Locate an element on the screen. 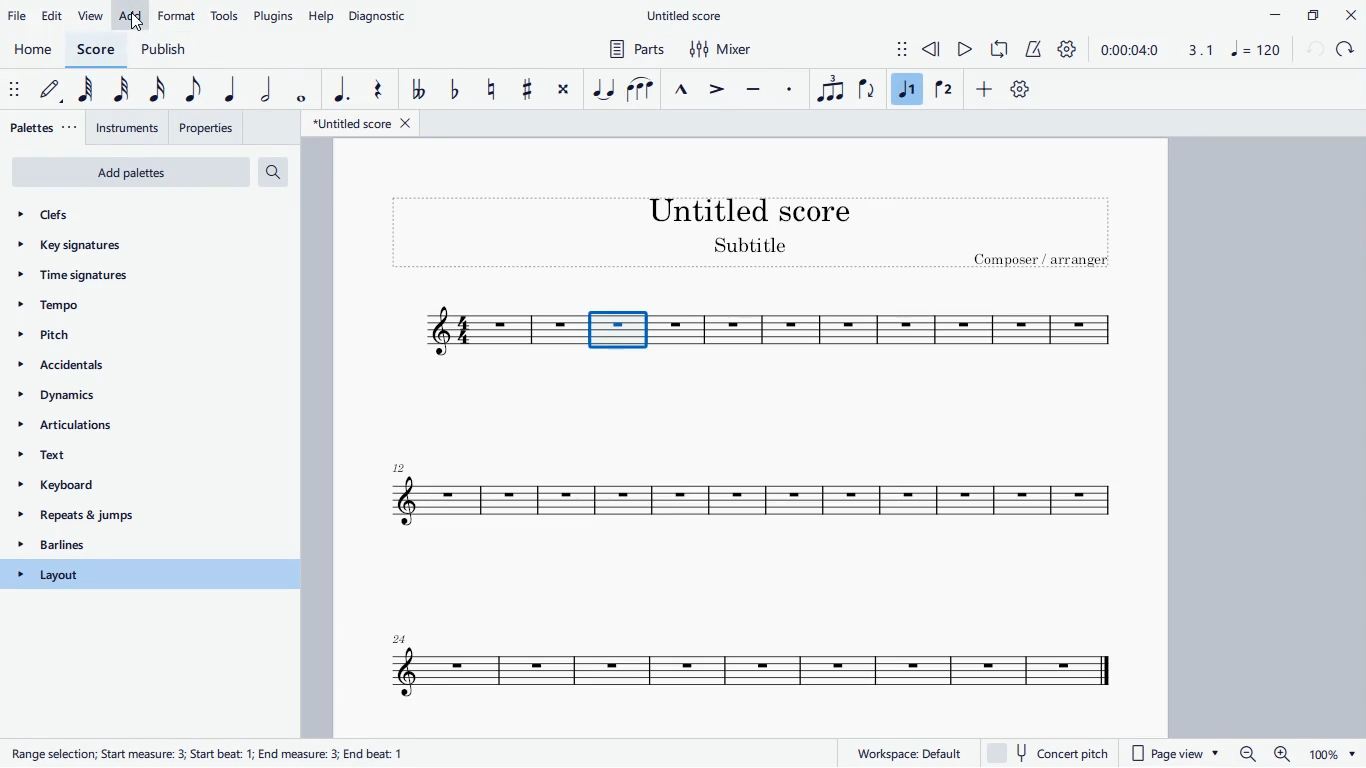 This screenshot has width=1366, height=768. toggle double flat is located at coordinates (417, 91).